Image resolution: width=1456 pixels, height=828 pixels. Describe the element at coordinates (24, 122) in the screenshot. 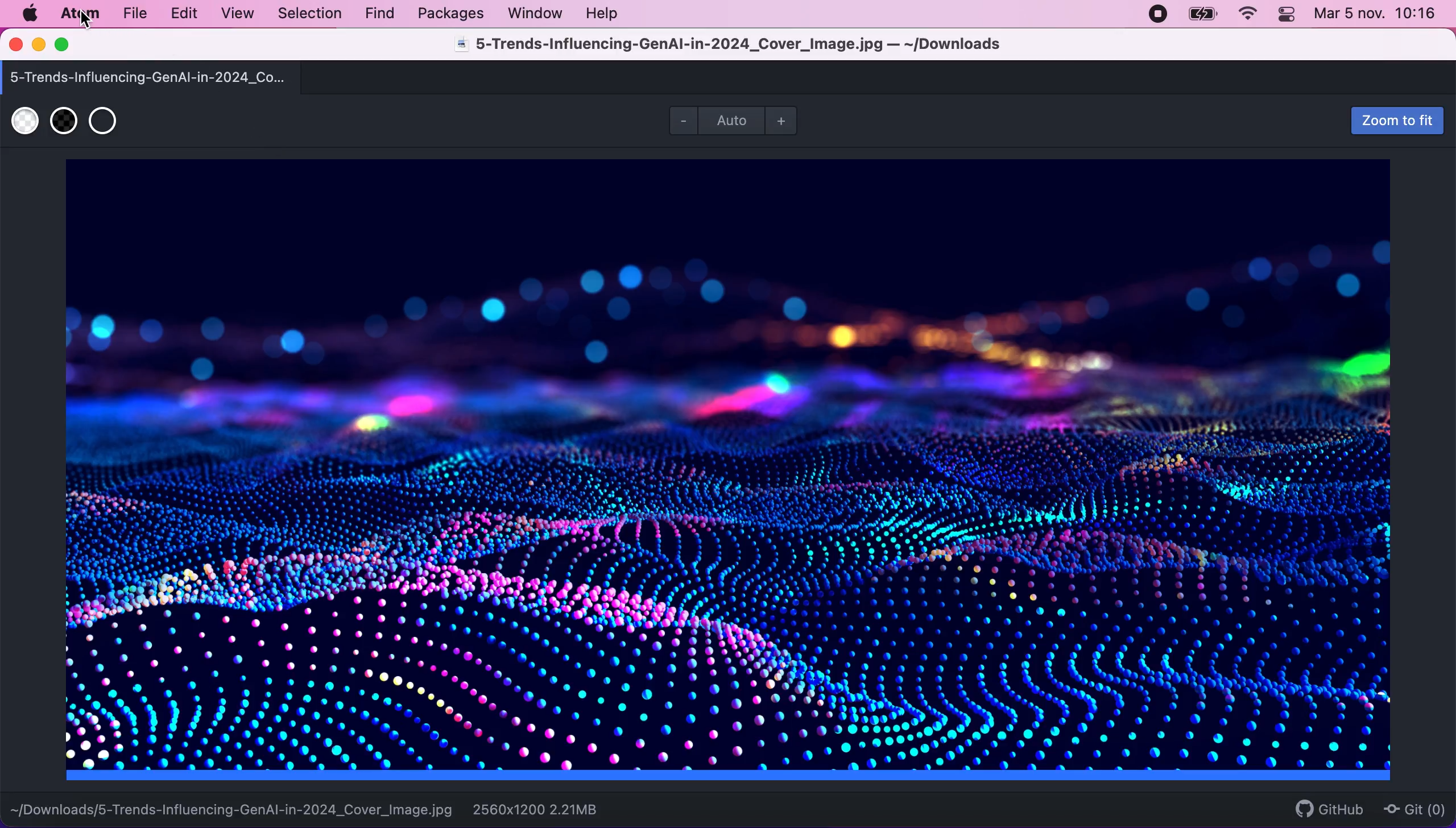

I see `use white transparent background` at that location.